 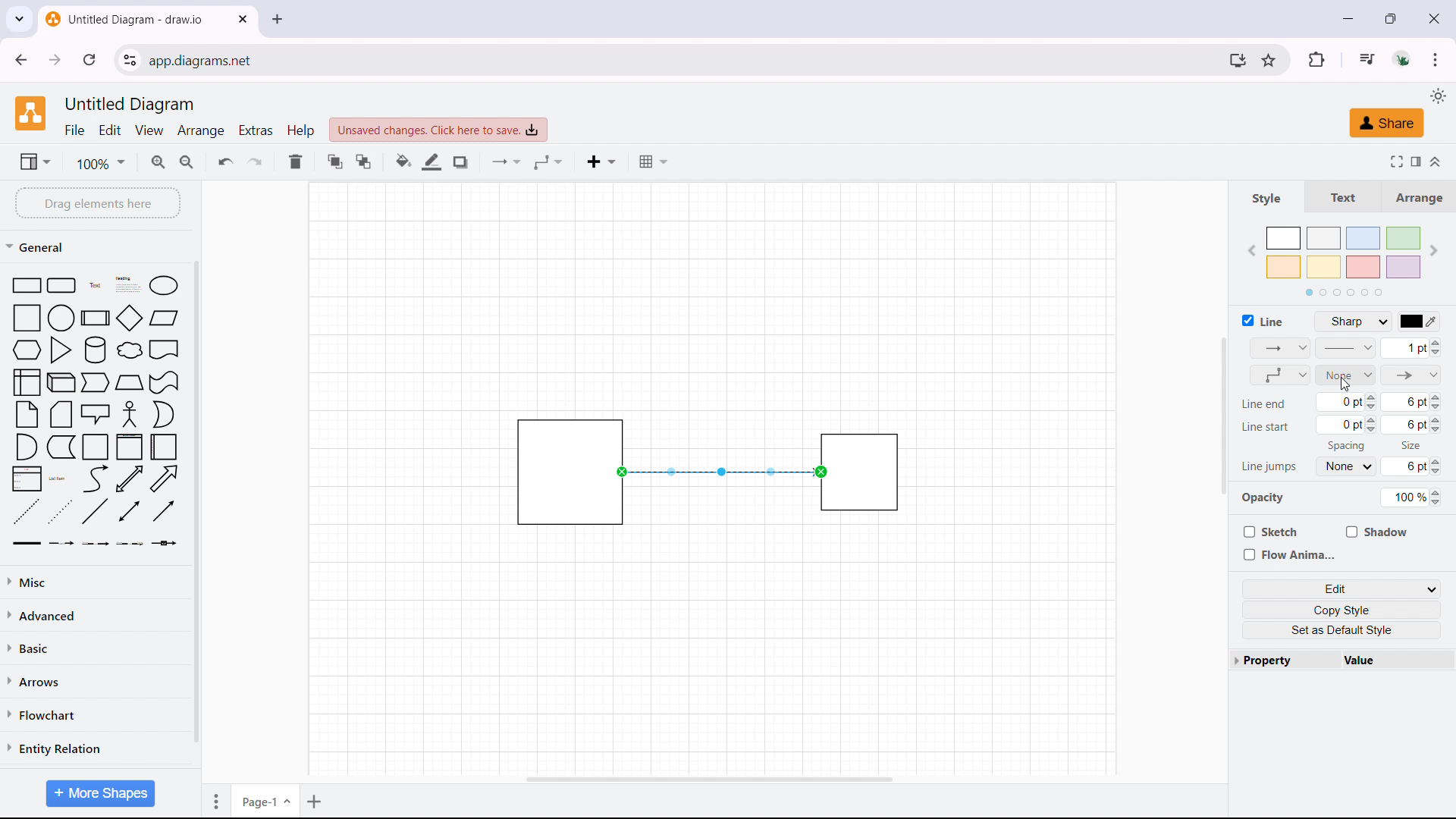 I want to click on Opacity, so click(x=1263, y=498).